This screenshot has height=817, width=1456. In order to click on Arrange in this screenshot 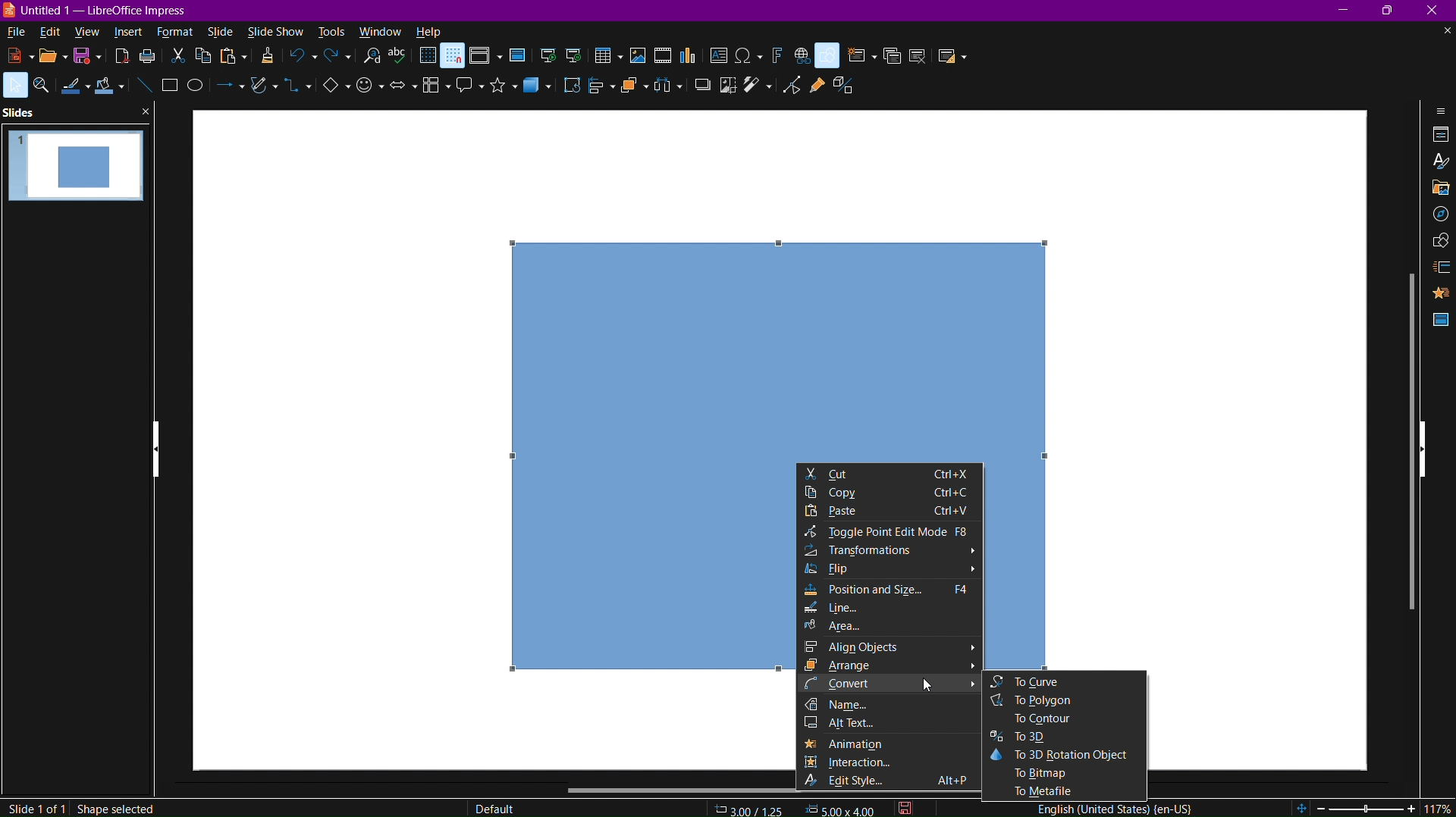, I will do `click(889, 667)`.